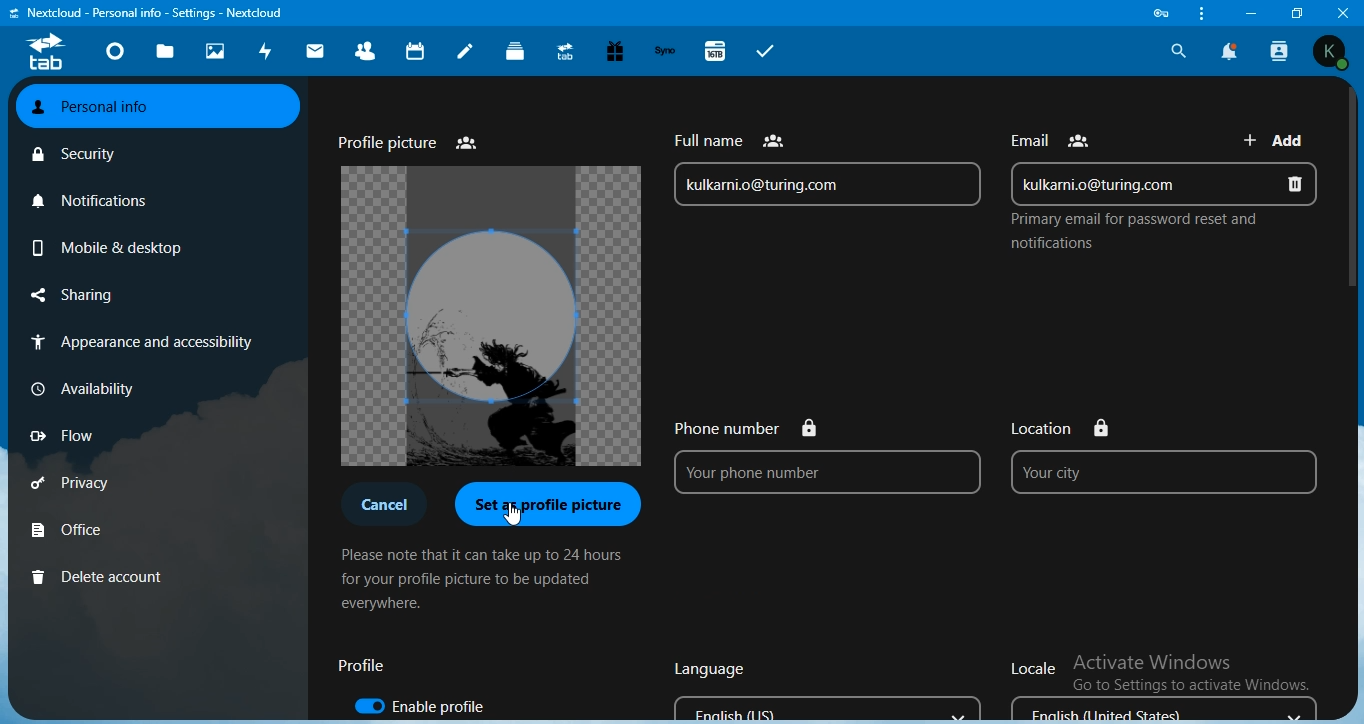 This screenshot has height=724, width=1364. What do you see at coordinates (62, 436) in the screenshot?
I see `flow` at bounding box center [62, 436].